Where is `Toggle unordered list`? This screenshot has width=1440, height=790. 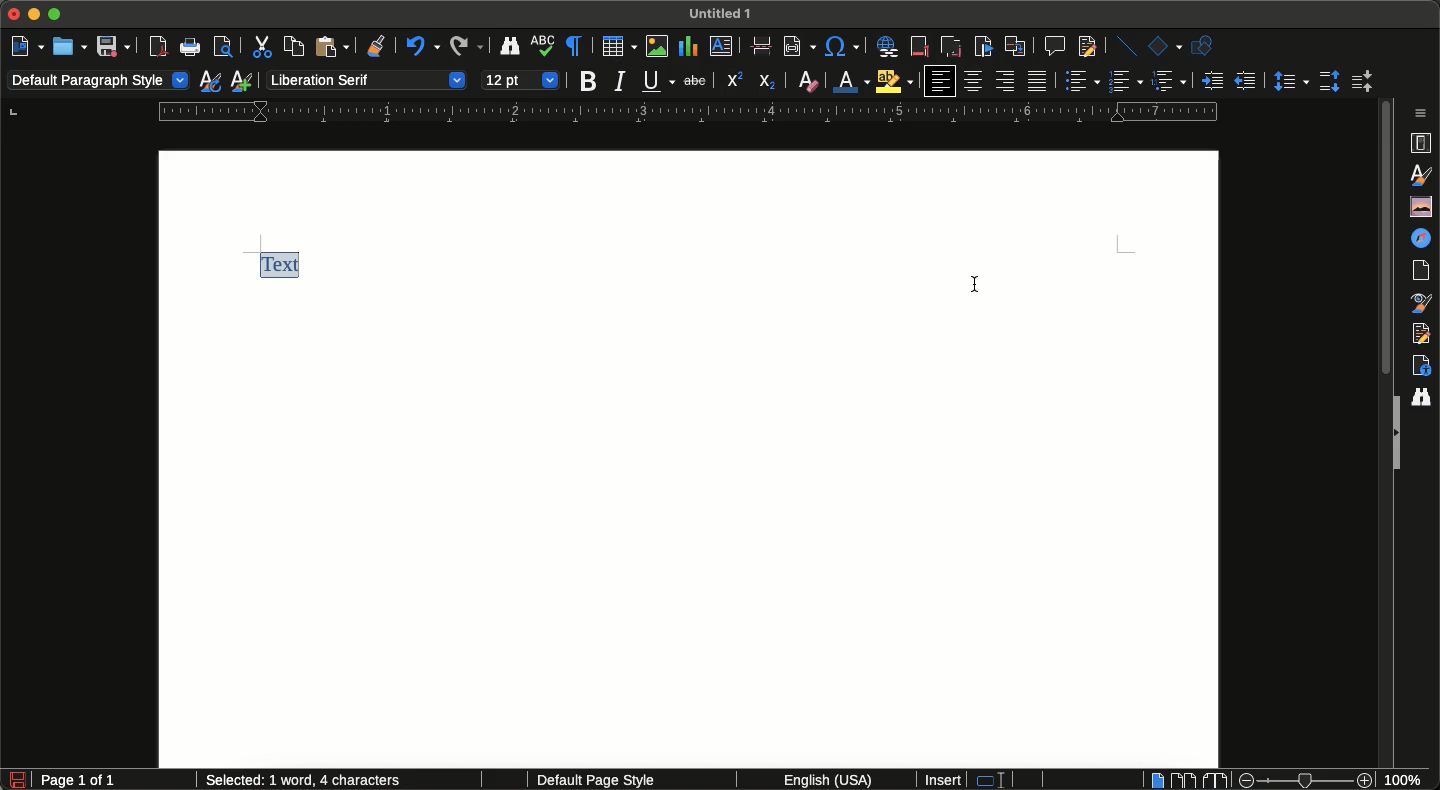 Toggle unordered list is located at coordinates (1082, 81).